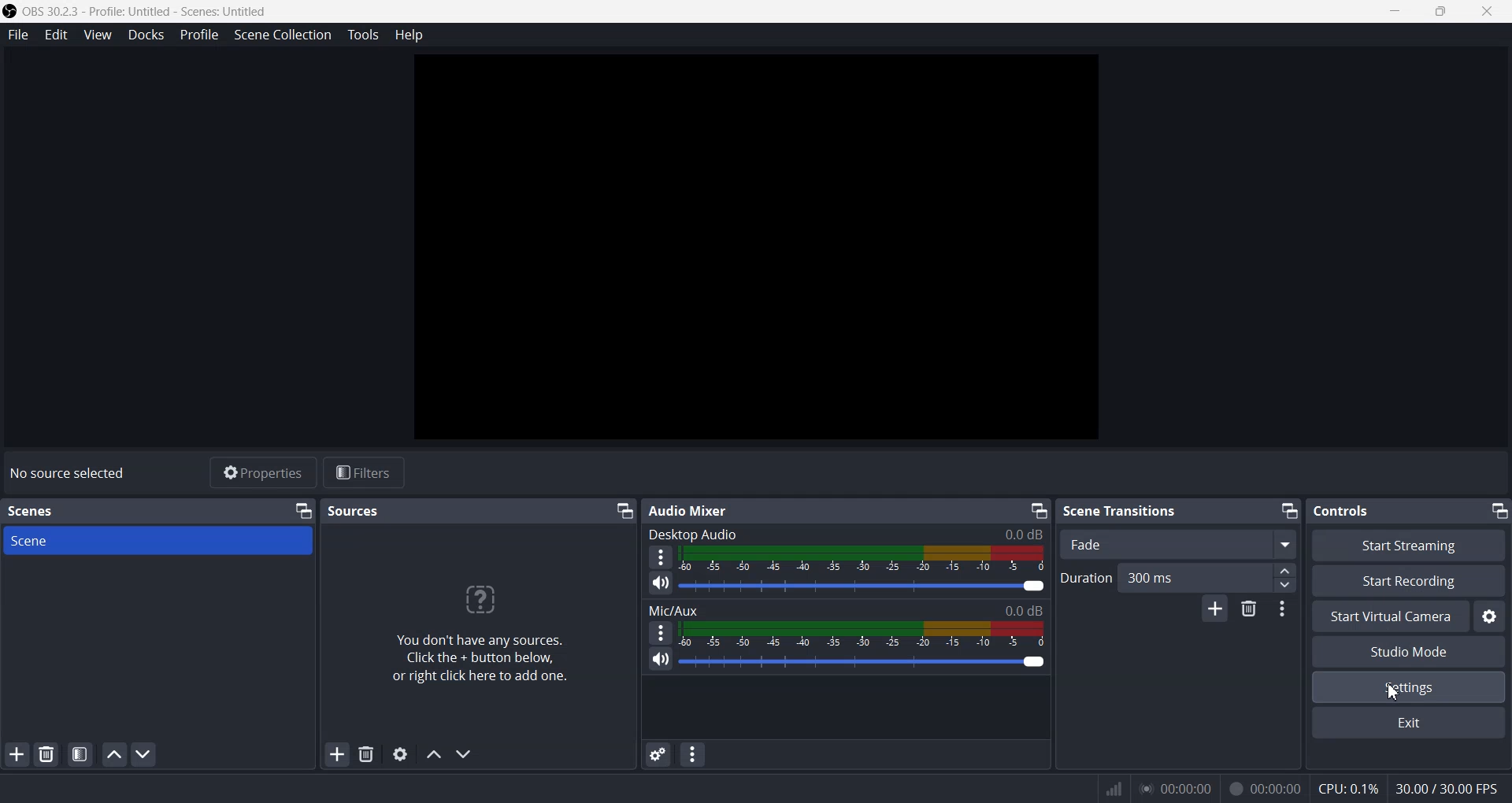 The height and width of the screenshot is (803, 1512). I want to click on Move scene Down, so click(144, 754).